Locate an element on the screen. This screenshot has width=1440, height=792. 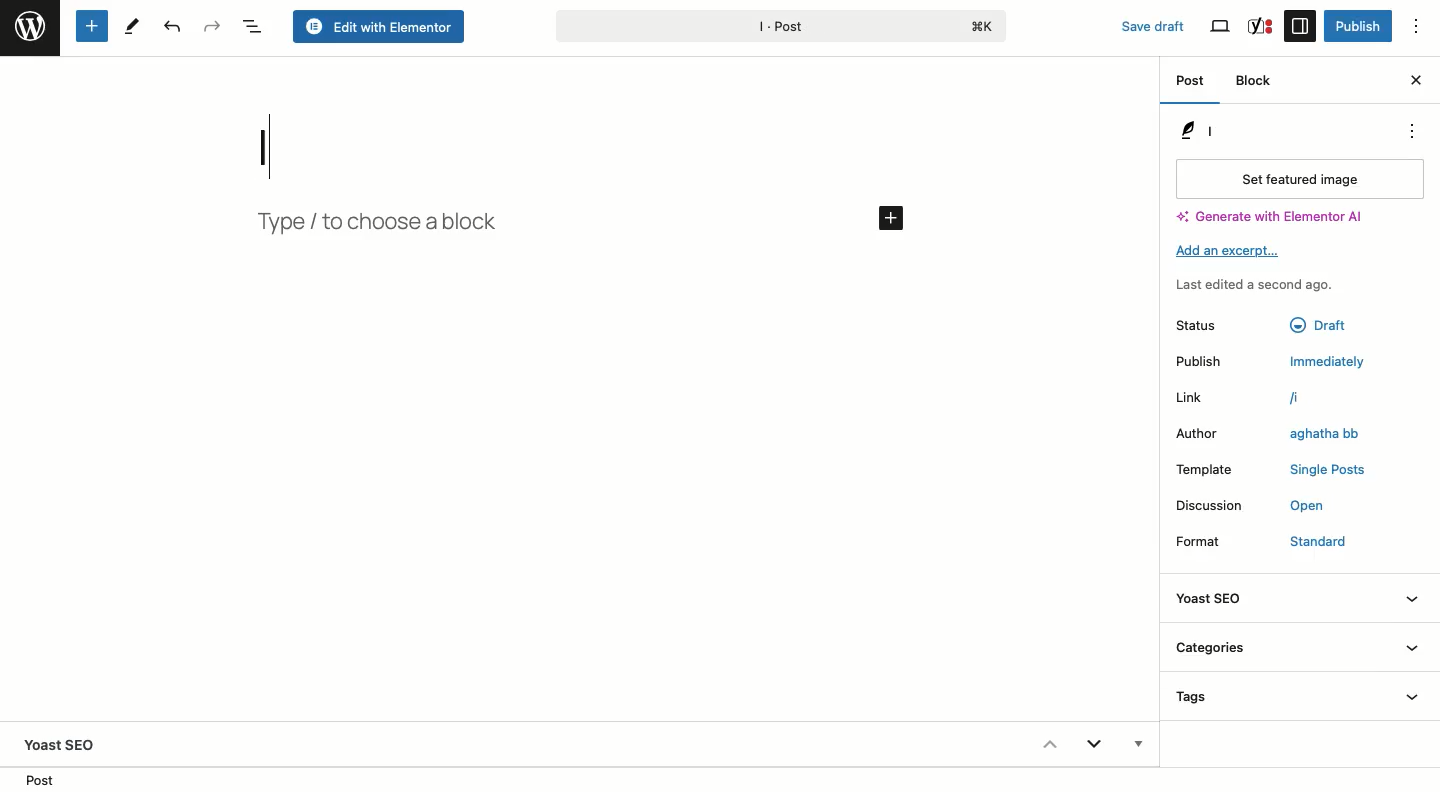
Open is located at coordinates (1304, 506).